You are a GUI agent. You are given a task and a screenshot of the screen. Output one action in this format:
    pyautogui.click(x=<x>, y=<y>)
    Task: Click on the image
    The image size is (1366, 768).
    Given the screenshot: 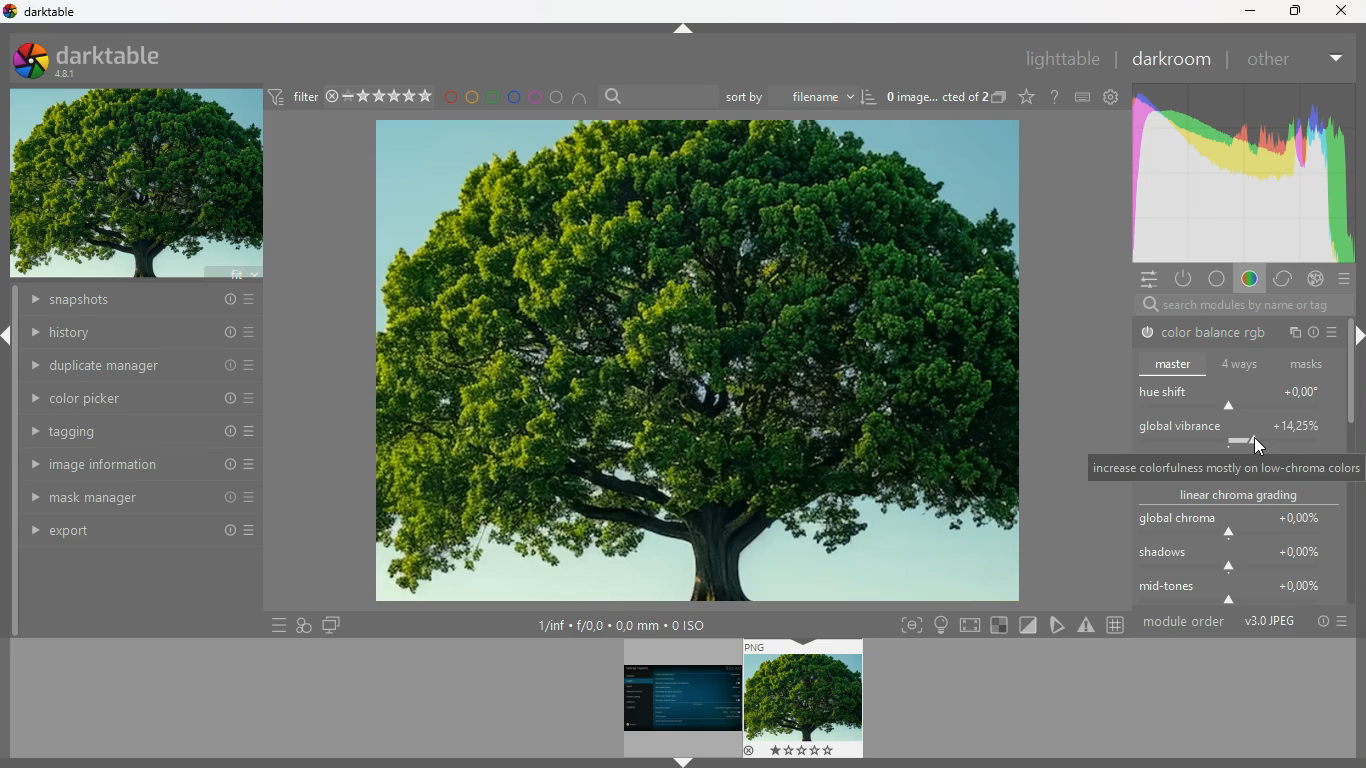 What is the action you would take?
    pyautogui.click(x=805, y=699)
    